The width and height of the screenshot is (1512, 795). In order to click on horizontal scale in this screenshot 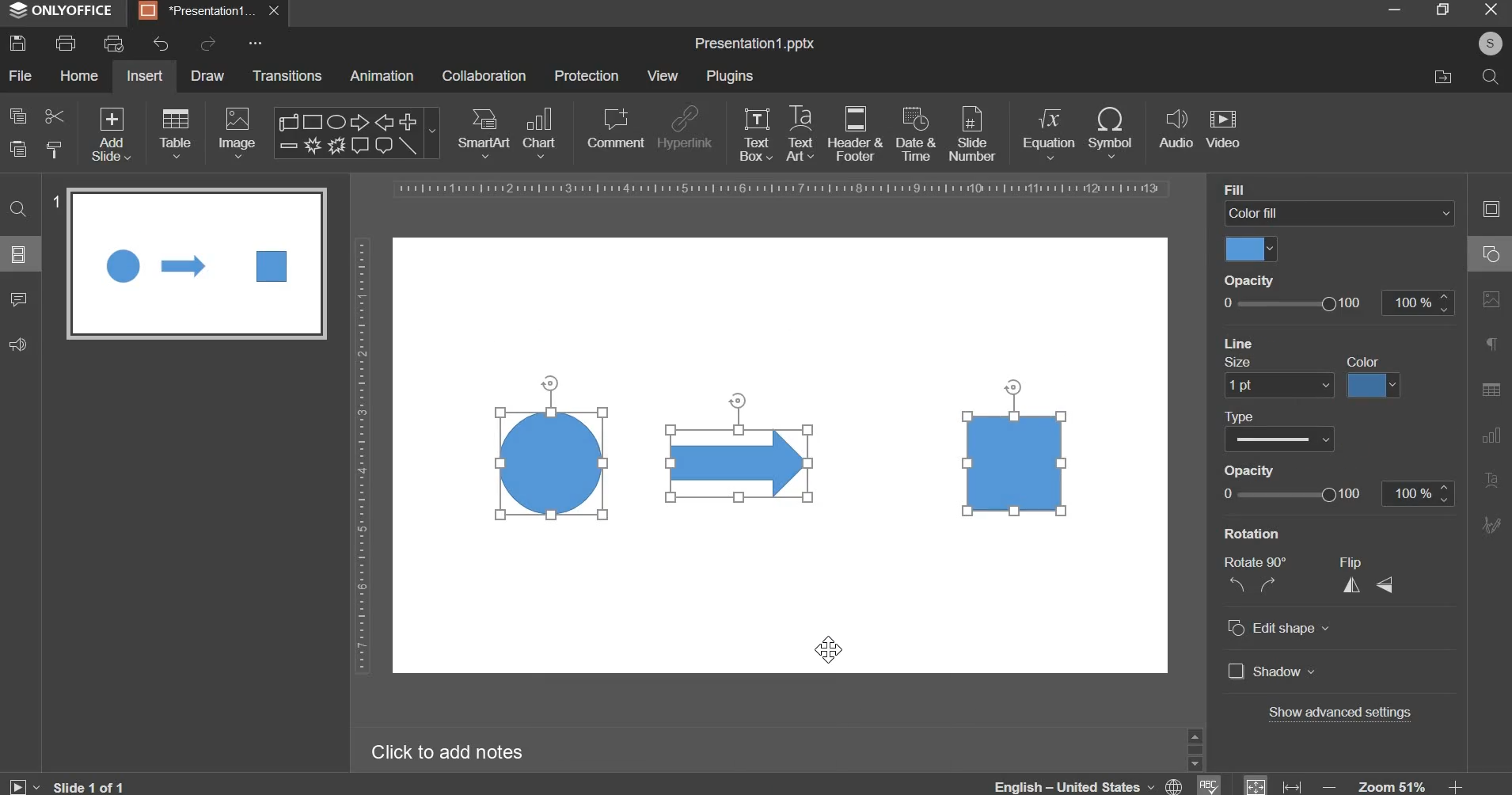, I will do `click(783, 189)`.